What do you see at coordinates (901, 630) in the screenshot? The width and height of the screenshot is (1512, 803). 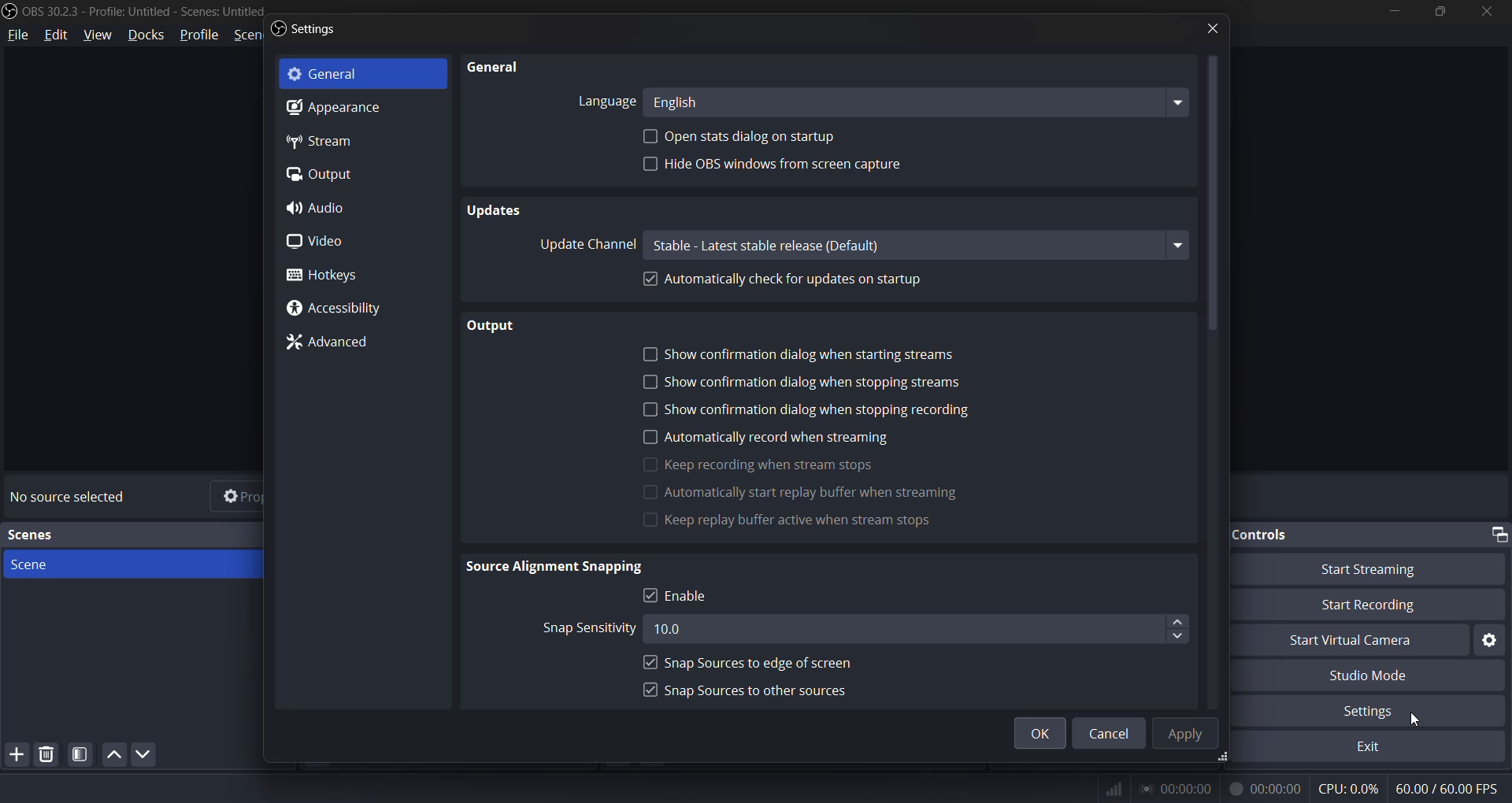 I see `10.0` at bounding box center [901, 630].